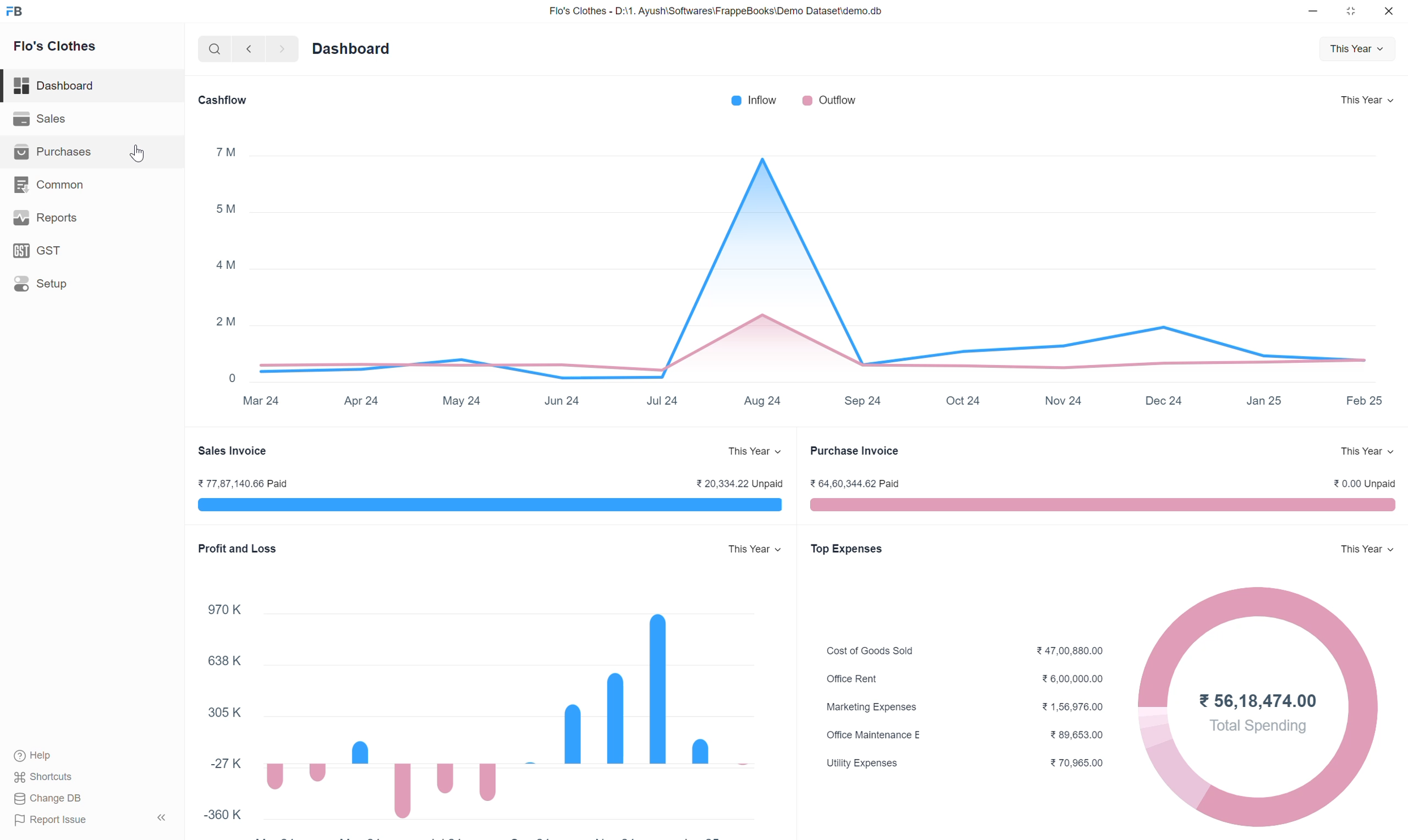 The height and width of the screenshot is (840, 1408). Describe the element at coordinates (755, 451) in the screenshot. I see `This year` at that location.